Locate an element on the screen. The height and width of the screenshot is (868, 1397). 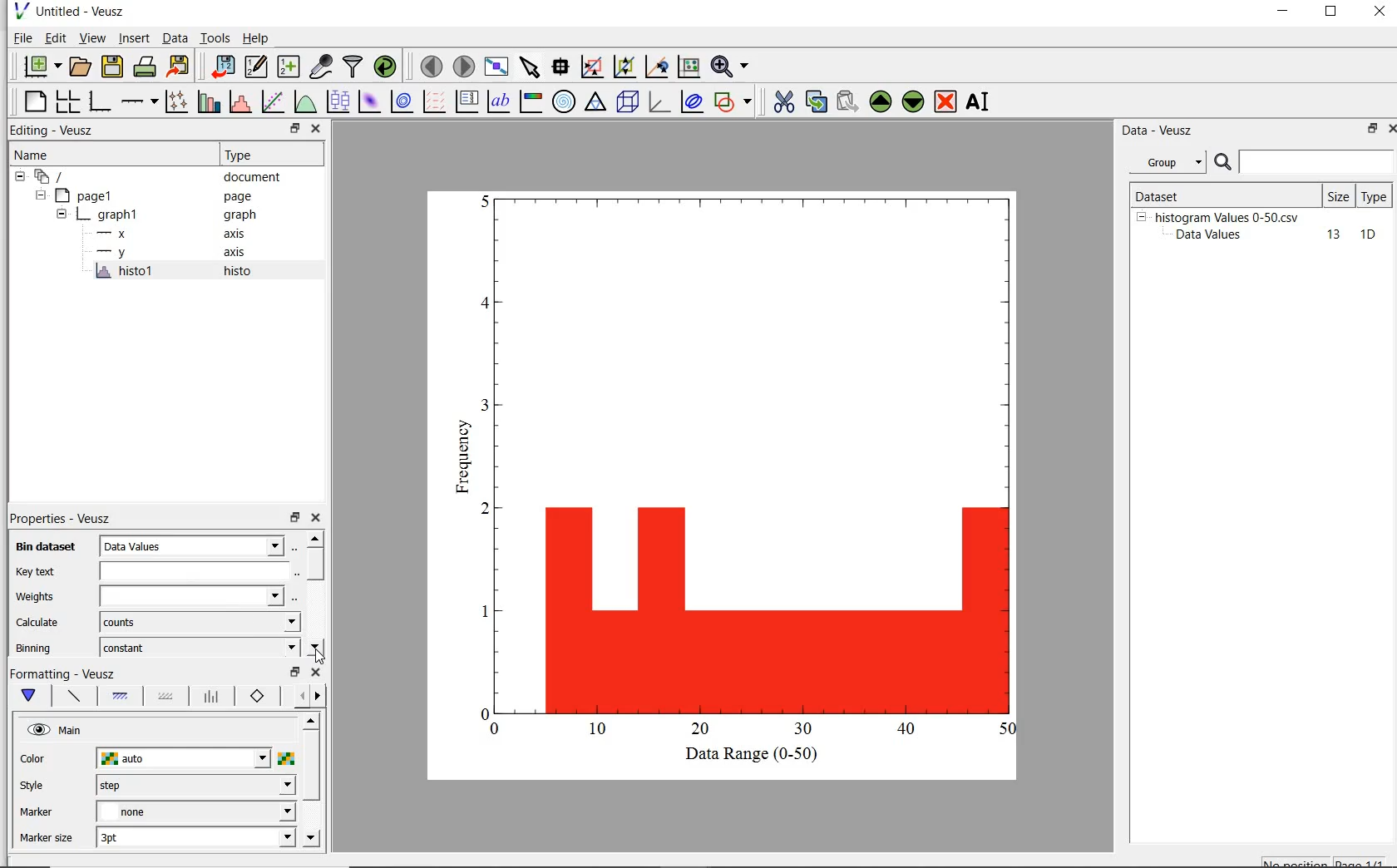
new document is located at coordinates (41, 66).